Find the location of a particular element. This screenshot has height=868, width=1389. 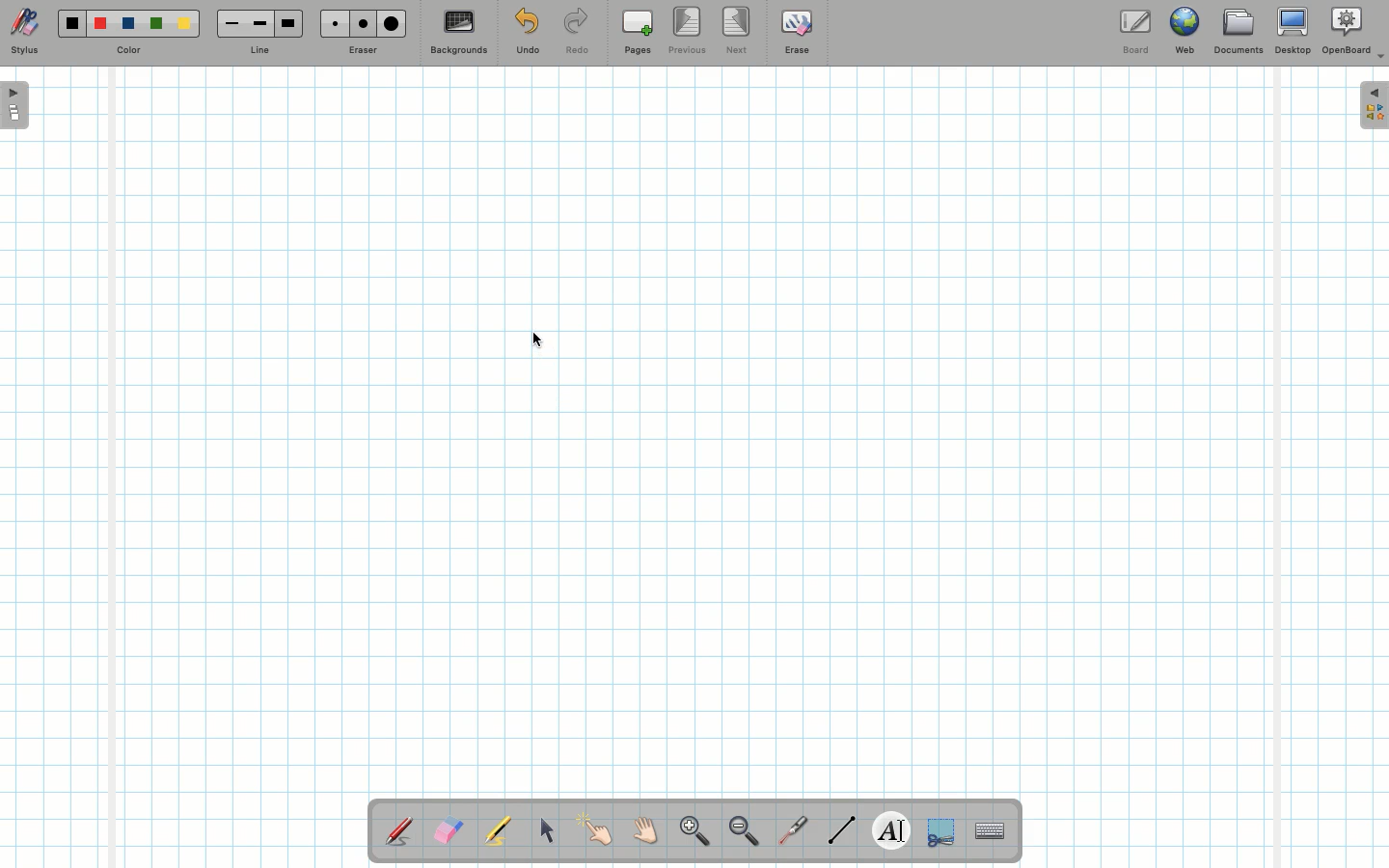

Green is located at coordinates (156, 25).